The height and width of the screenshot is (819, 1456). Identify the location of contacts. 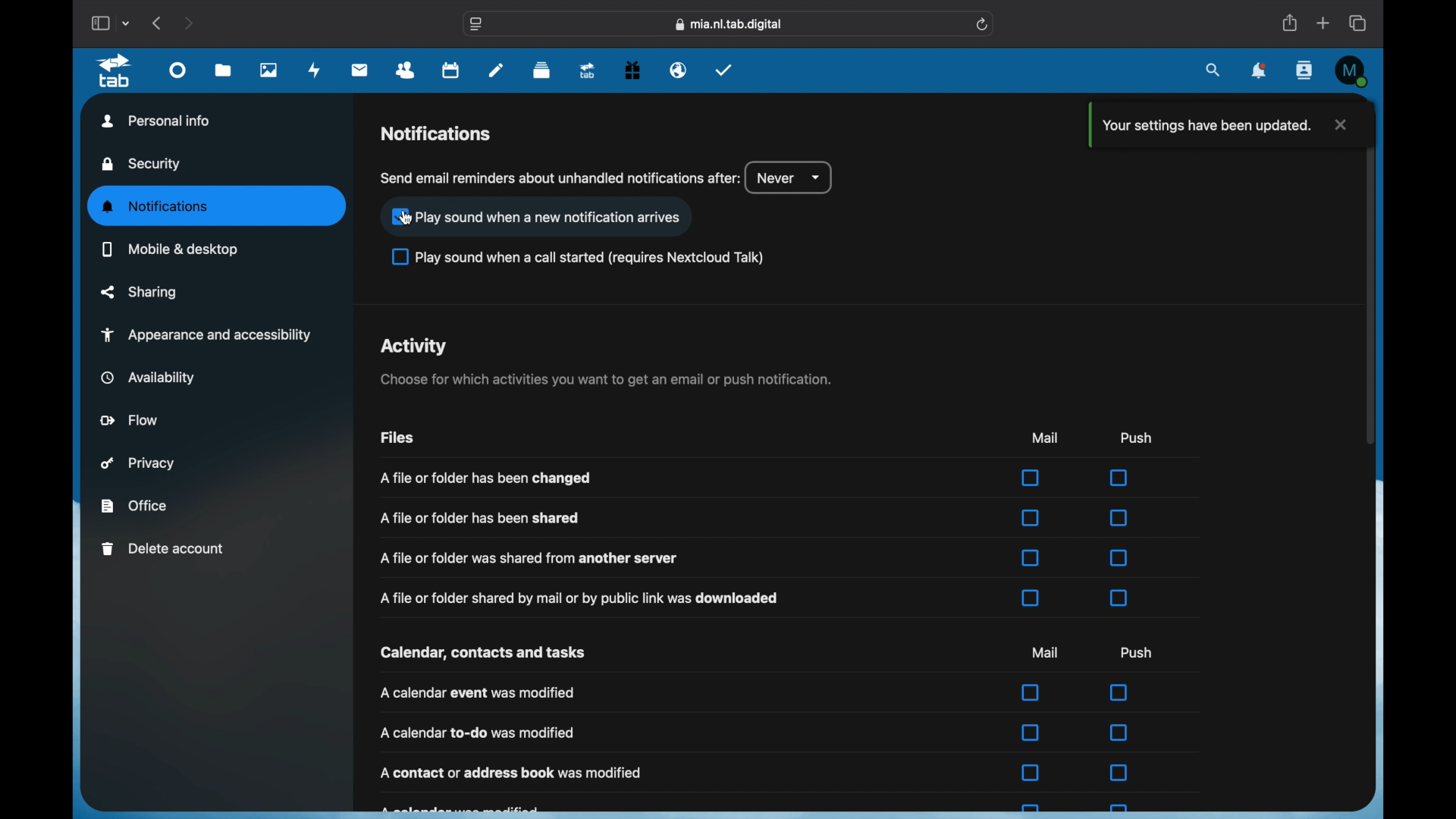
(1306, 71).